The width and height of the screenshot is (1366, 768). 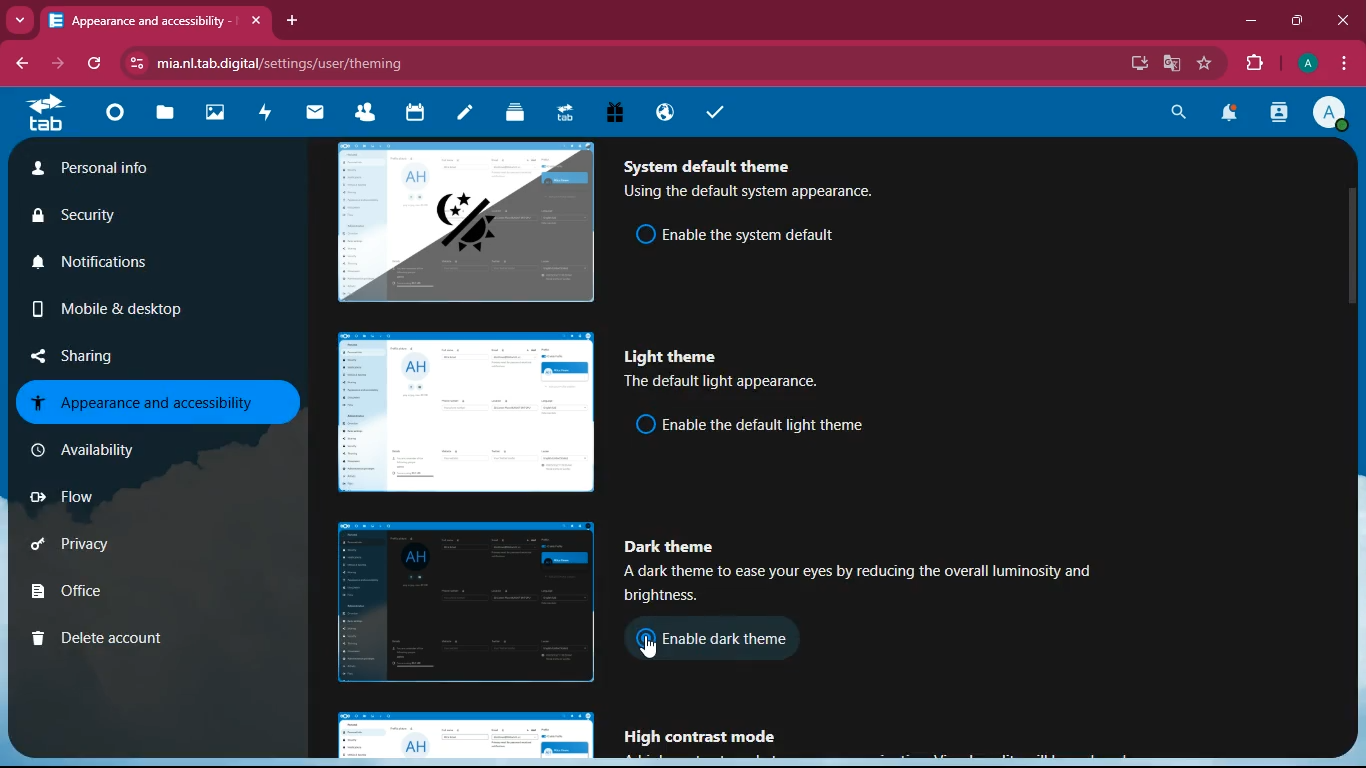 I want to click on mobile, so click(x=102, y=313).